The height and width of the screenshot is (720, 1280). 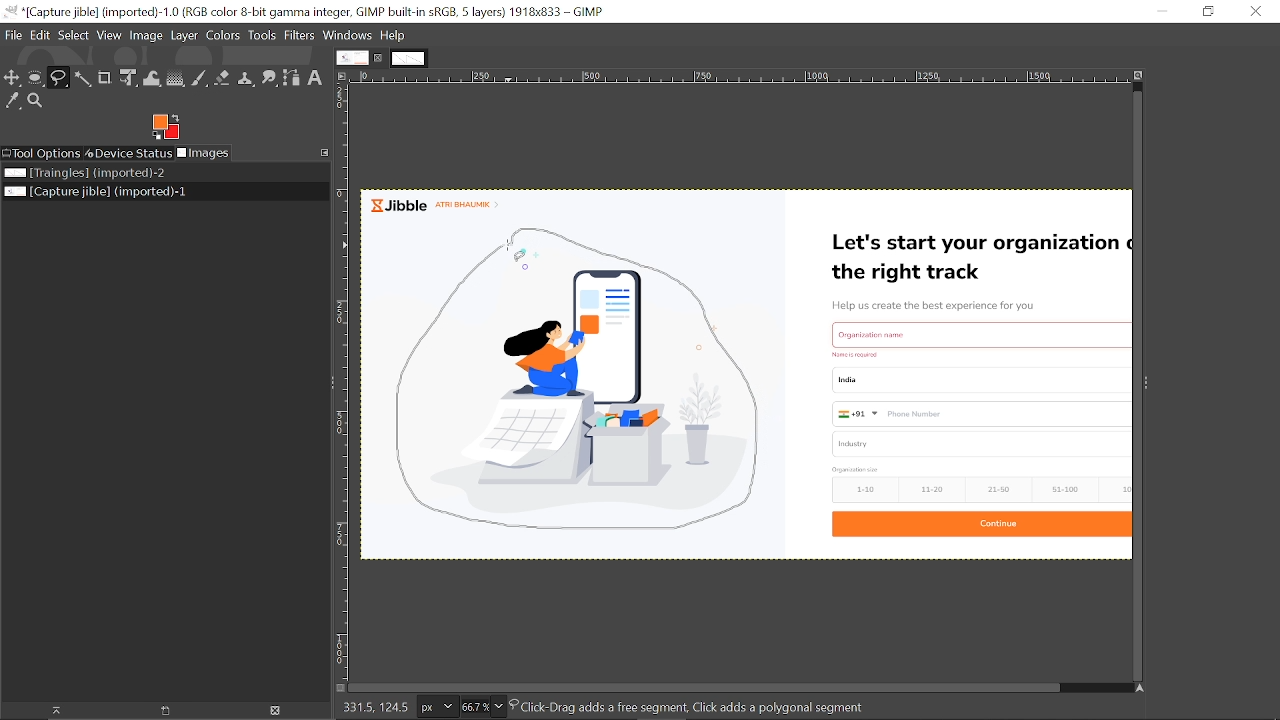 I want to click on Windows, so click(x=349, y=36).